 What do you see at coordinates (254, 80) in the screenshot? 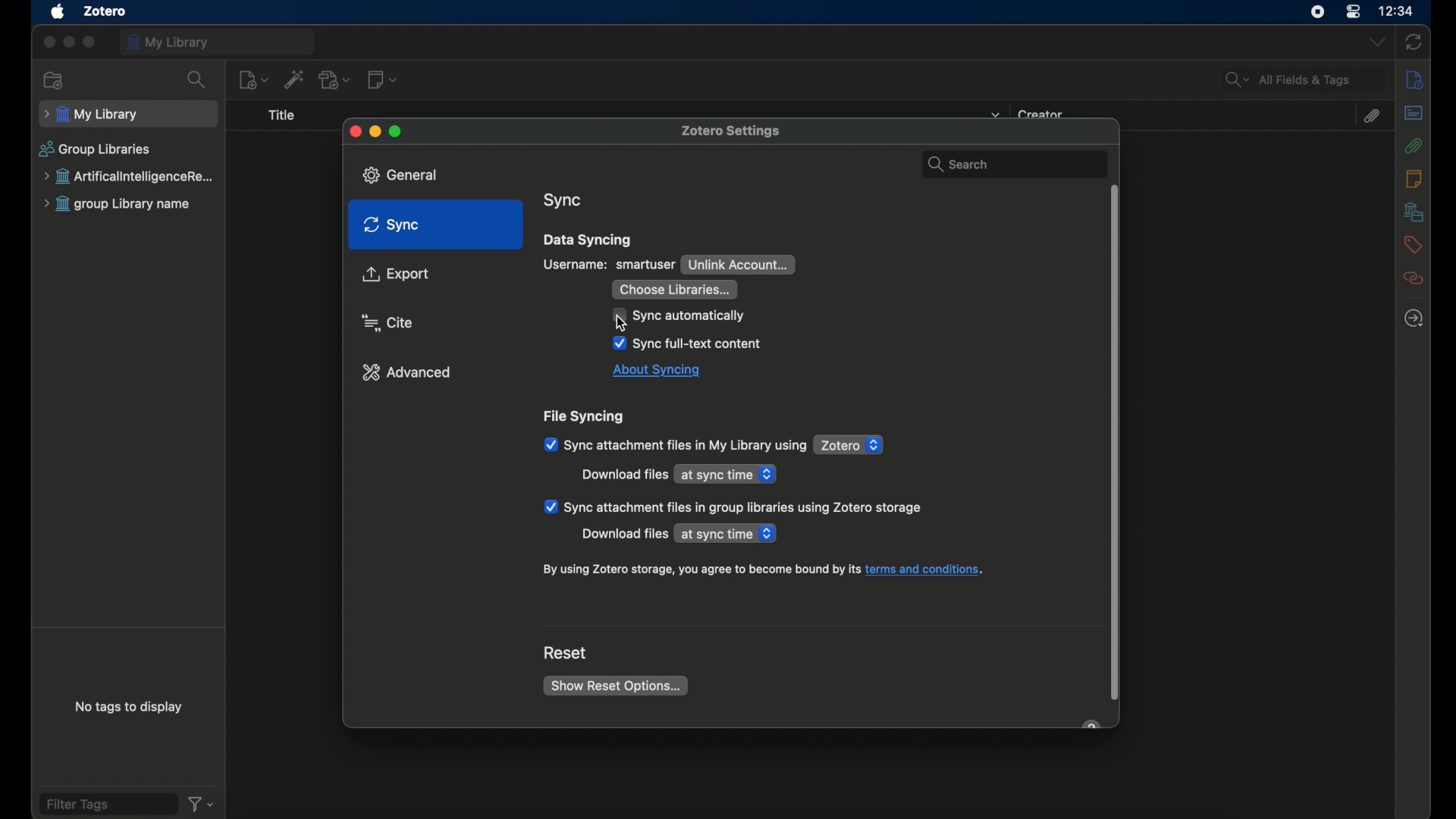
I see `new item` at bounding box center [254, 80].